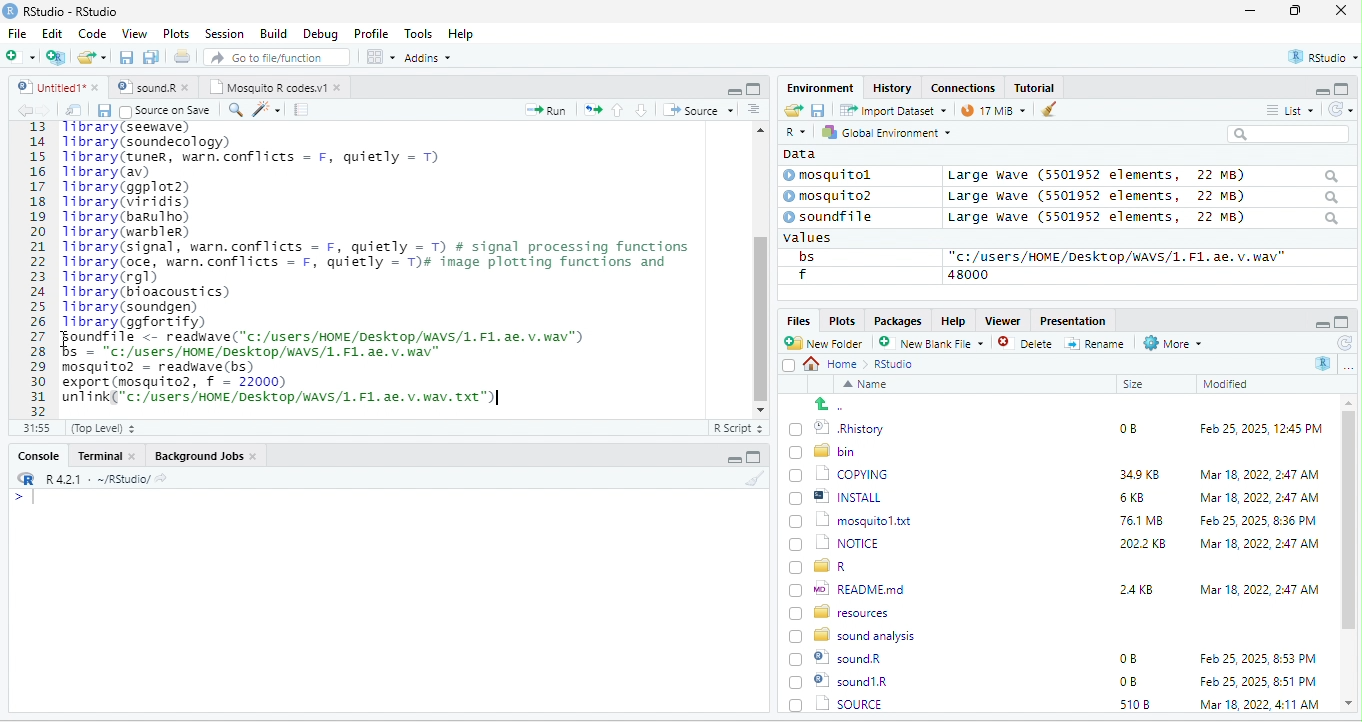 The width and height of the screenshot is (1362, 722). Describe the element at coordinates (852, 588) in the screenshot. I see `wo| READMEmd` at that location.